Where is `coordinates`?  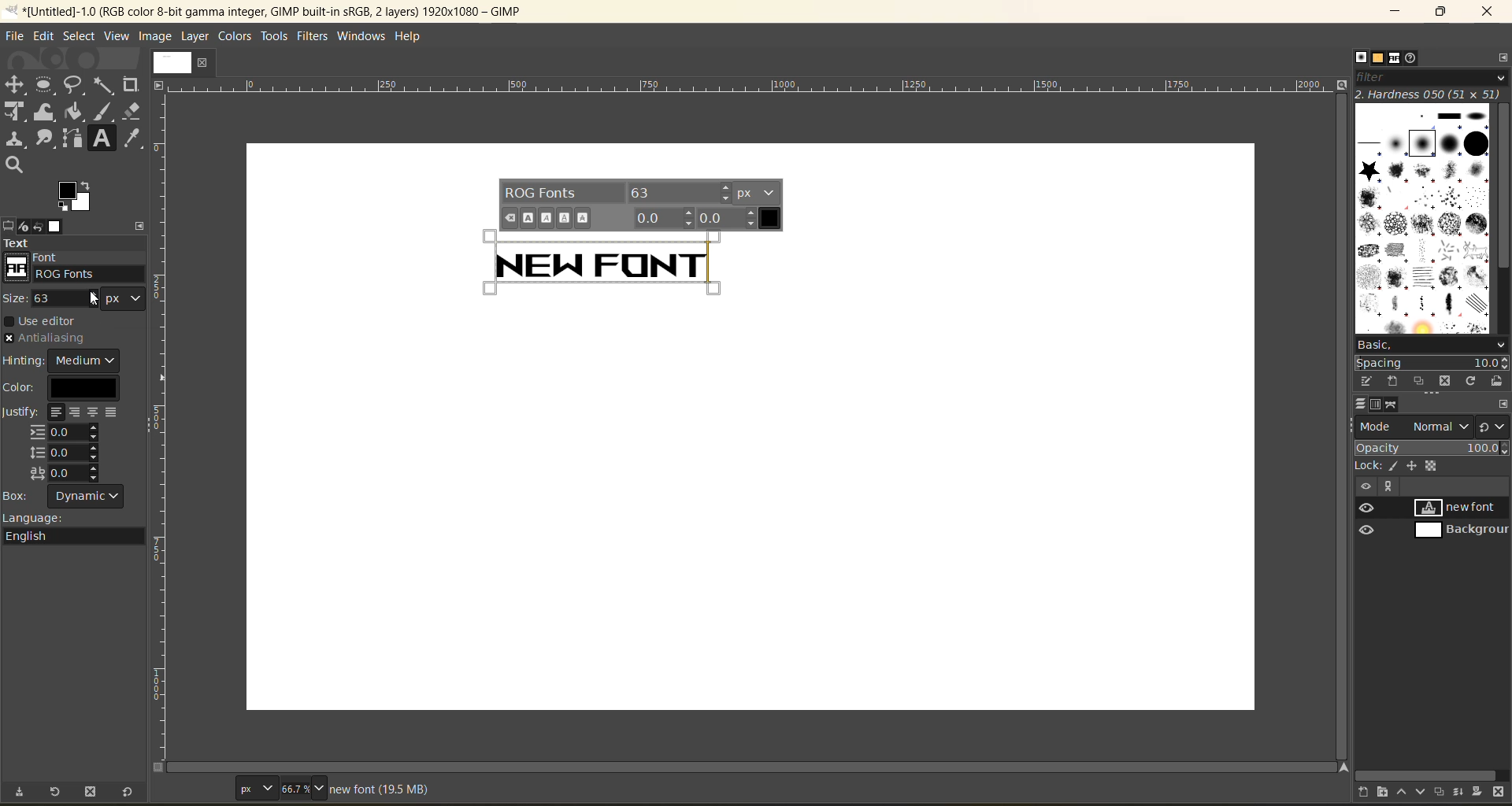
coordinates is located at coordinates (201, 789).